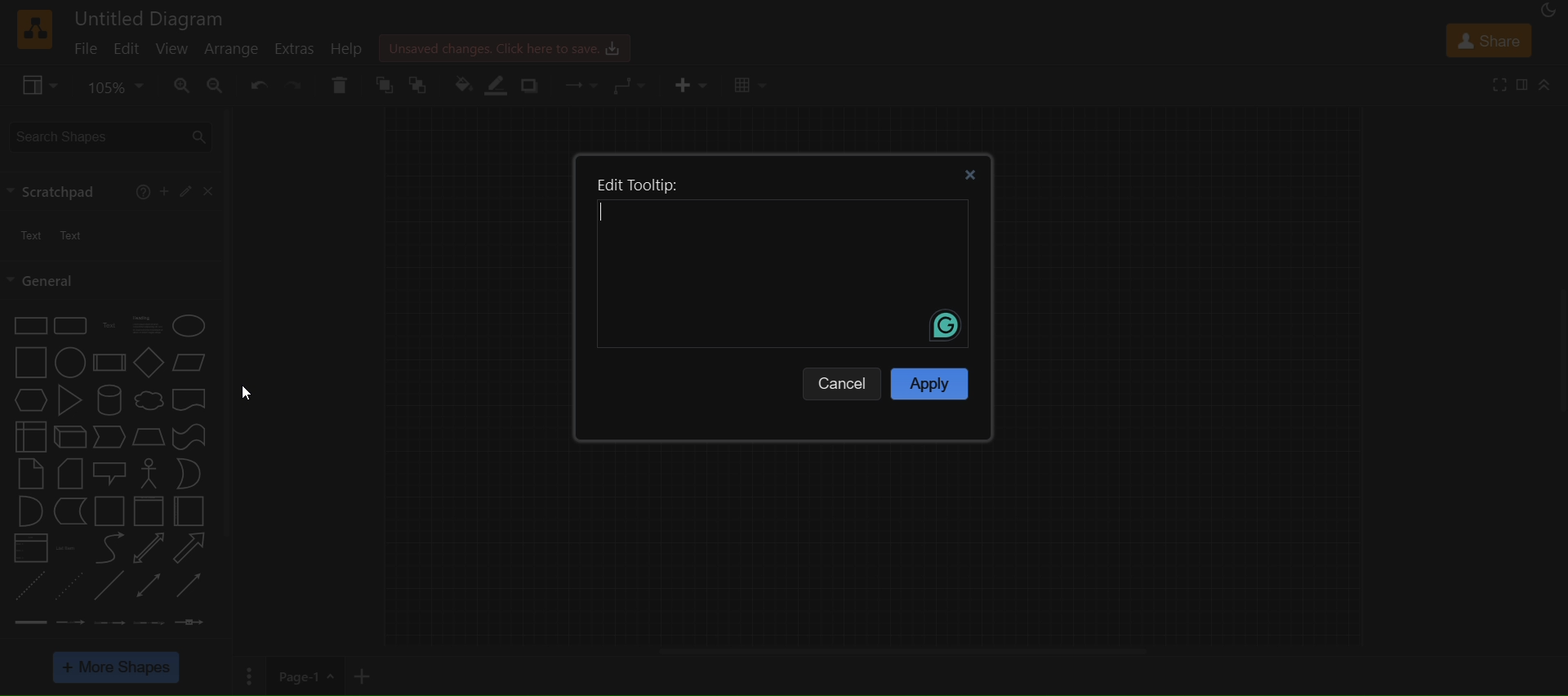 The image size is (1568, 696). What do you see at coordinates (173, 47) in the screenshot?
I see `view` at bounding box center [173, 47].